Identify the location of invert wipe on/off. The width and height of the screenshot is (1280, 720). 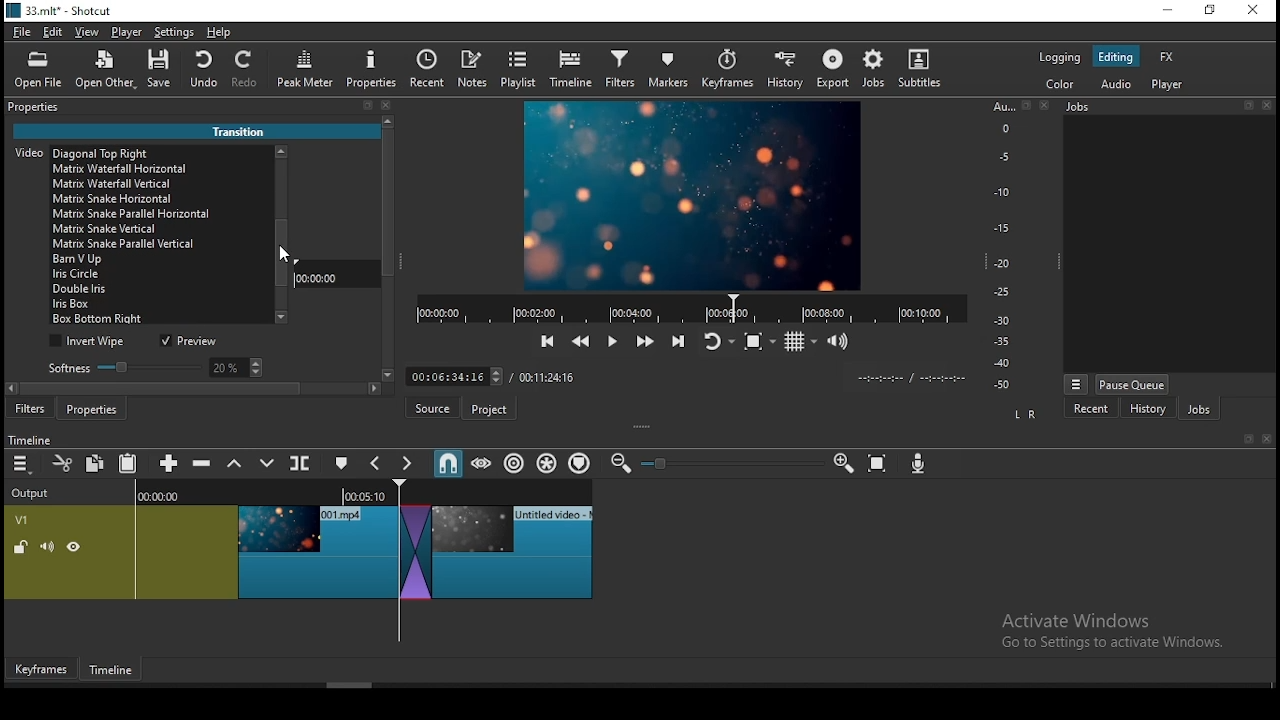
(90, 342).